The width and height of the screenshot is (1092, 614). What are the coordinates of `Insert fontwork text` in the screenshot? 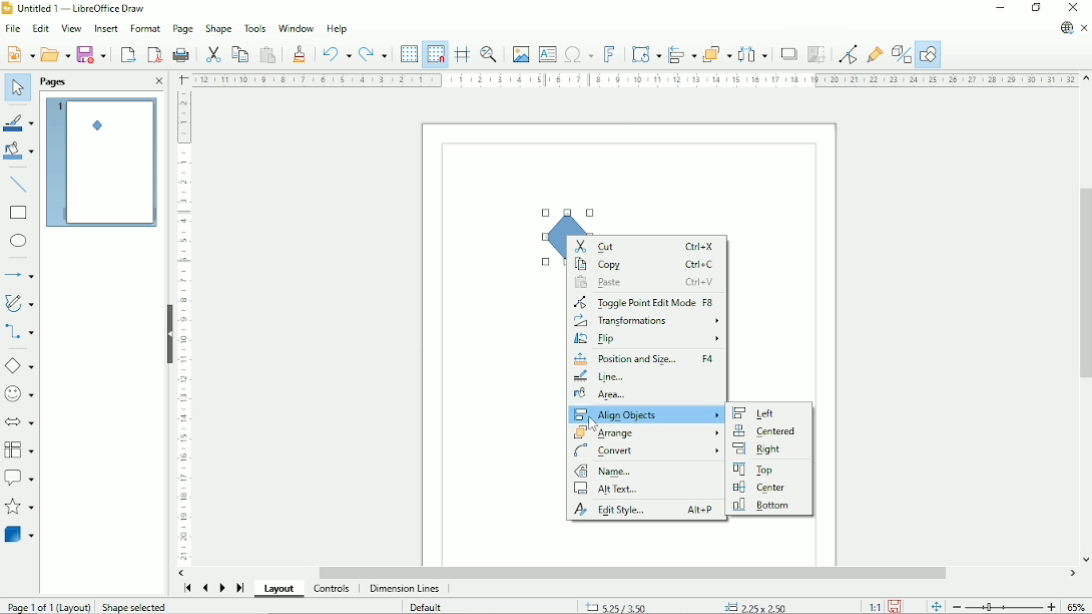 It's located at (612, 54).